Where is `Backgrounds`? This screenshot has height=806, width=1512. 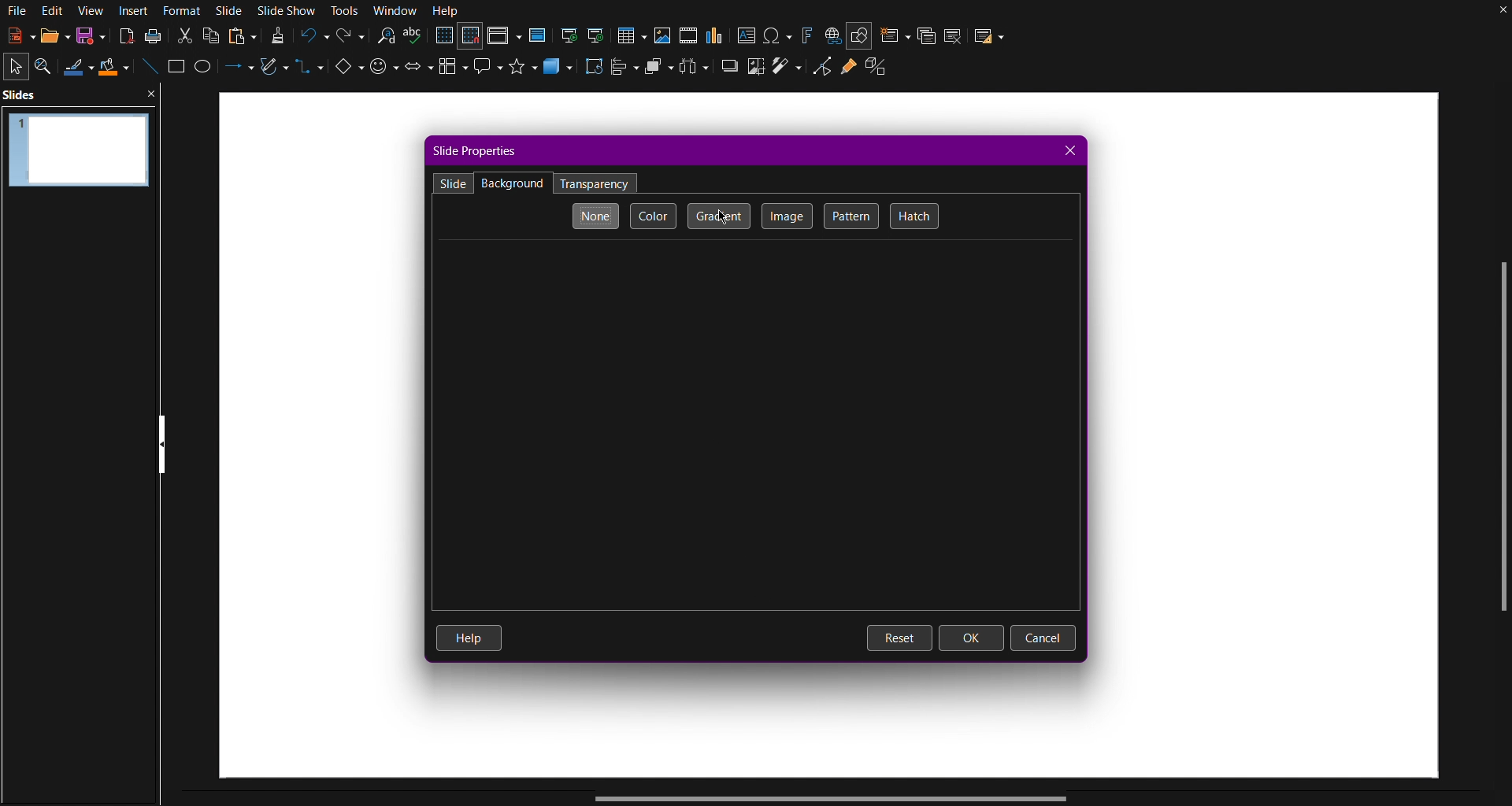
Backgrounds is located at coordinates (513, 183).